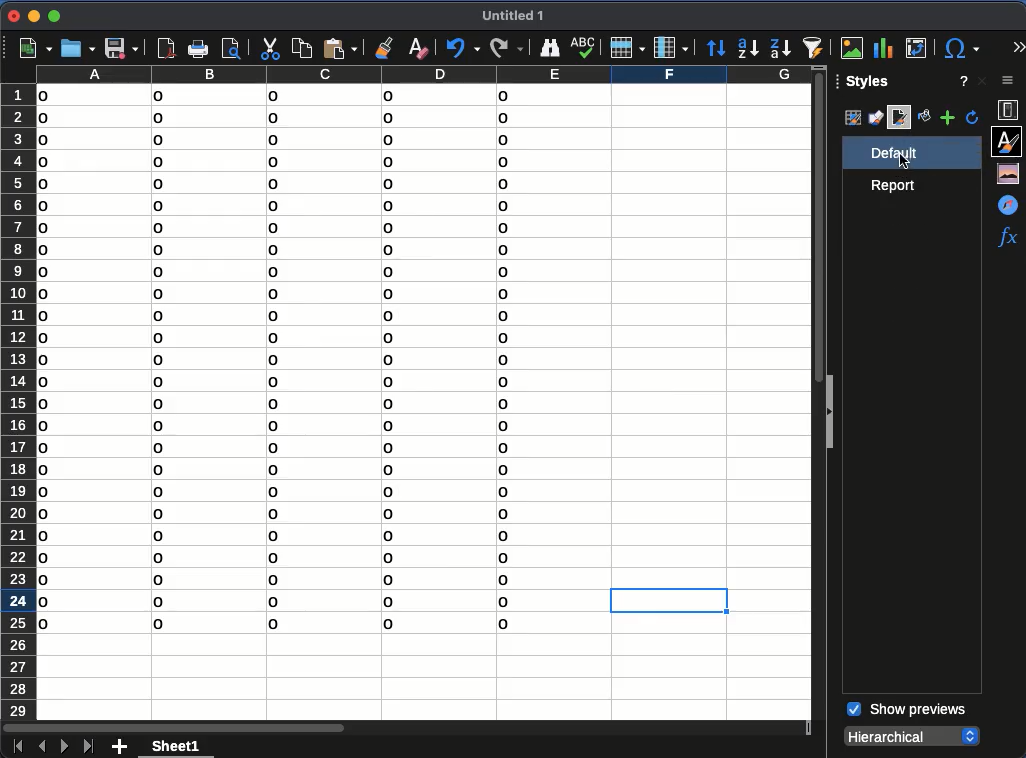 This screenshot has height=758, width=1026. What do you see at coordinates (1009, 82) in the screenshot?
I see `sidebar` at bounding box center [1009, 82].